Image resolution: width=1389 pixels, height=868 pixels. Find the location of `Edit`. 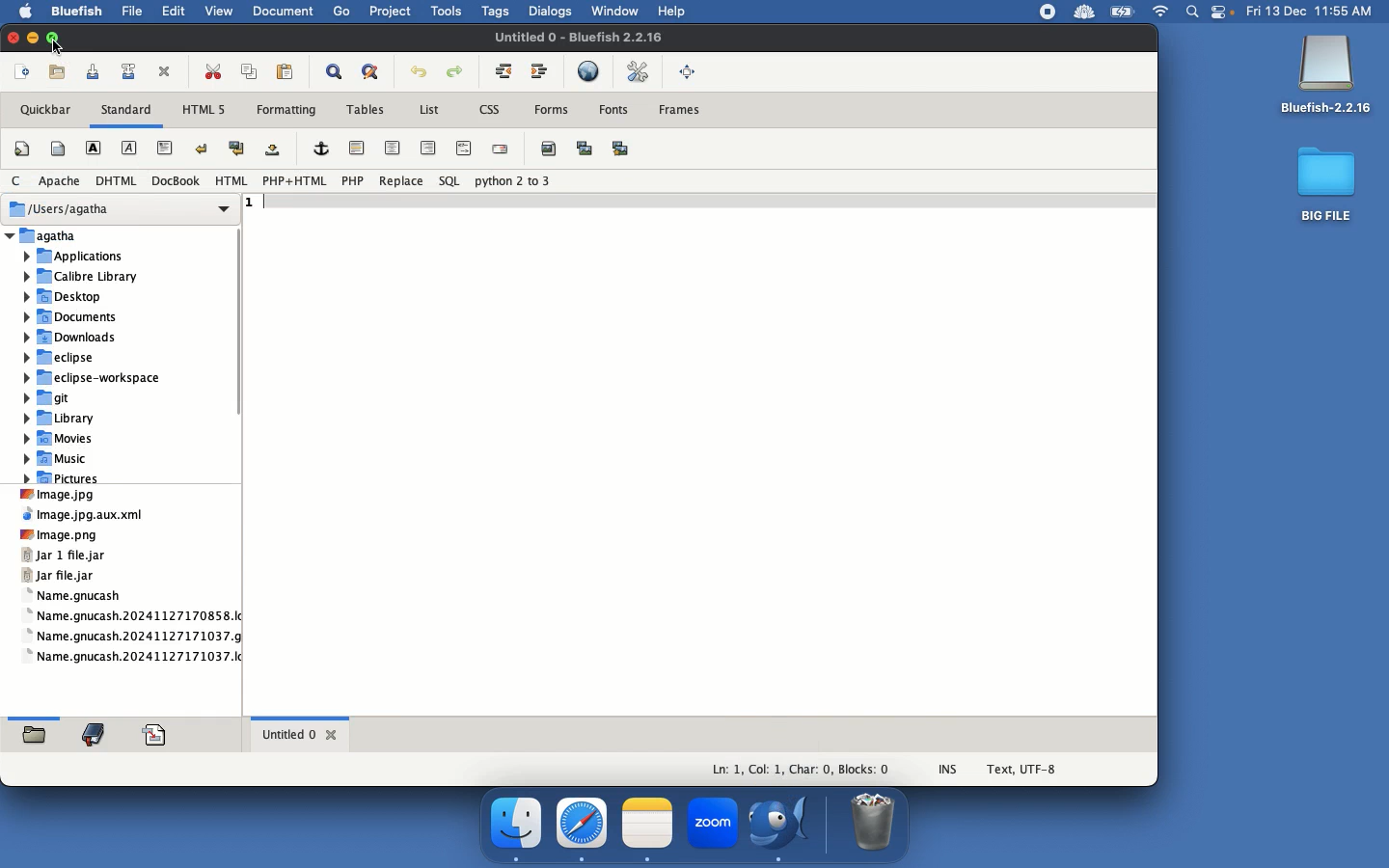

Edit is located at coordinates (170, 11).